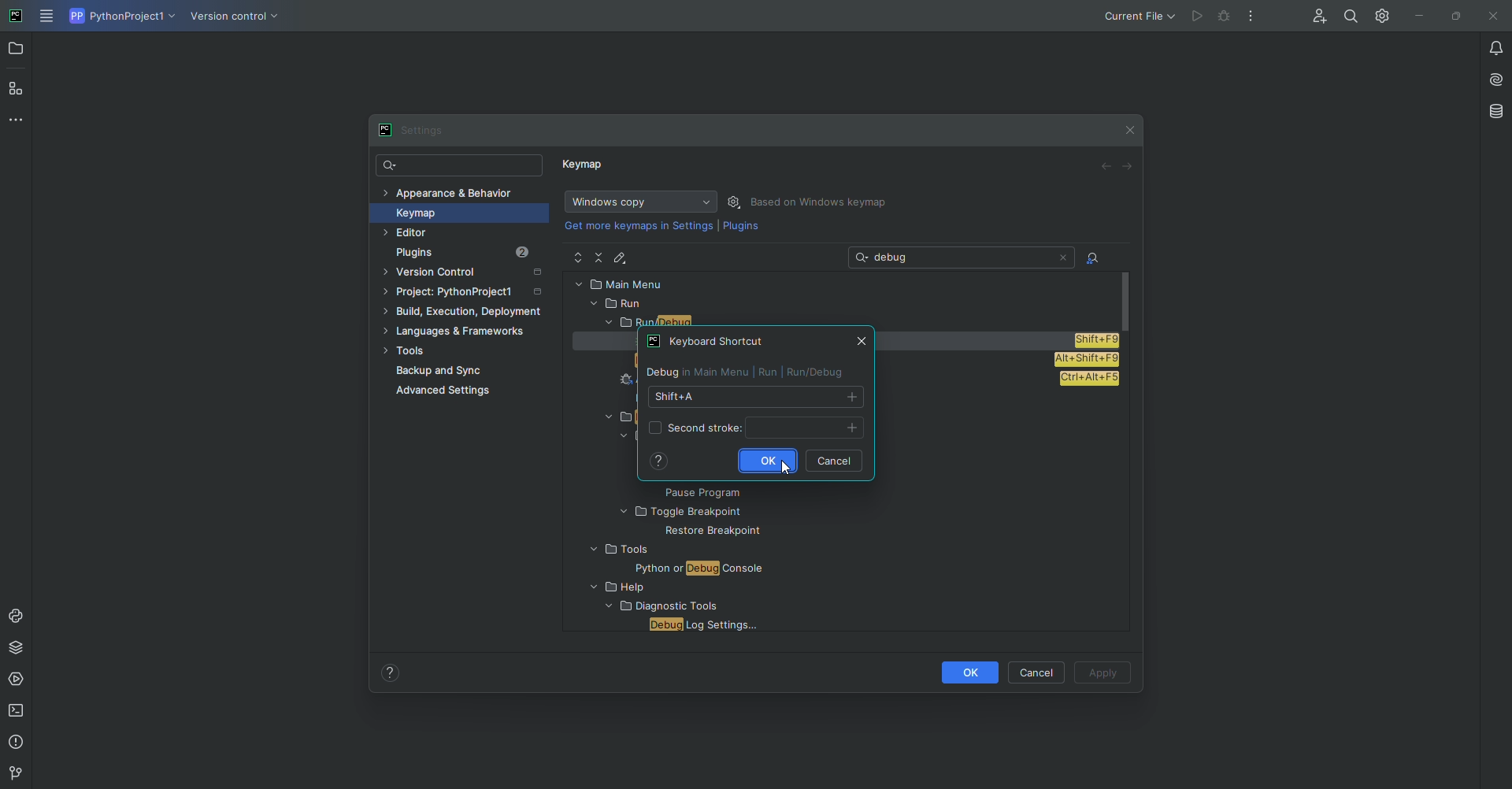 The height and width of the screenshot is (789, 1512). Describe the element at coordinates (1254, 20) in the screenshot. I see `More Options` at that location.